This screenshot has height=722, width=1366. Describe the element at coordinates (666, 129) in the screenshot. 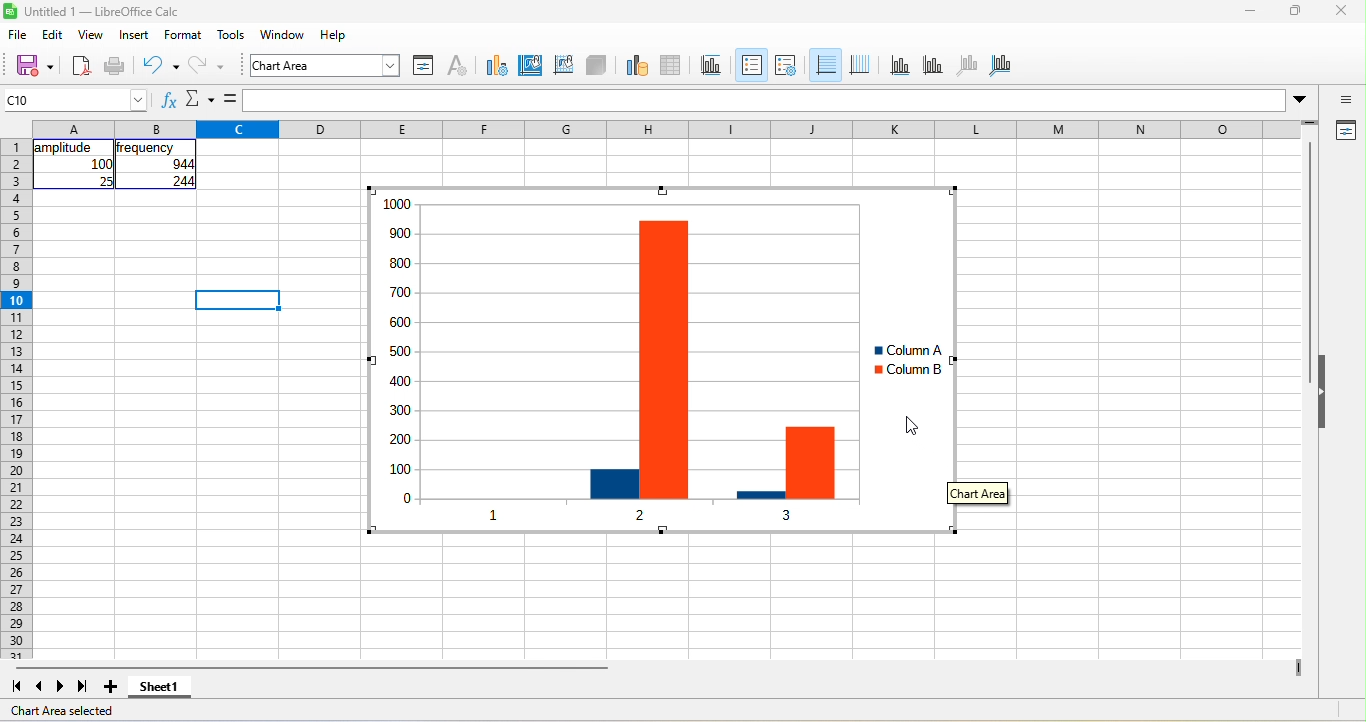

I see `column headings` at that location.